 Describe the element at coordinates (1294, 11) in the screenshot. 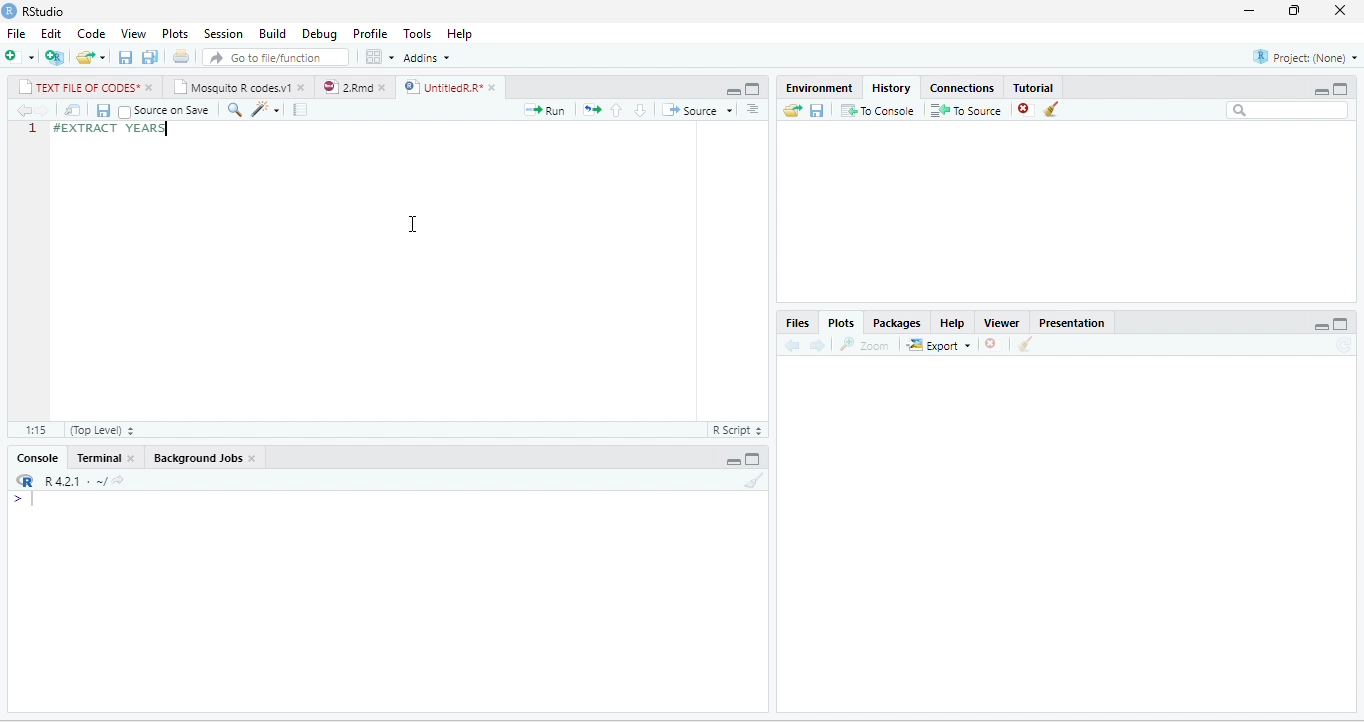

I see `resize` at that location.